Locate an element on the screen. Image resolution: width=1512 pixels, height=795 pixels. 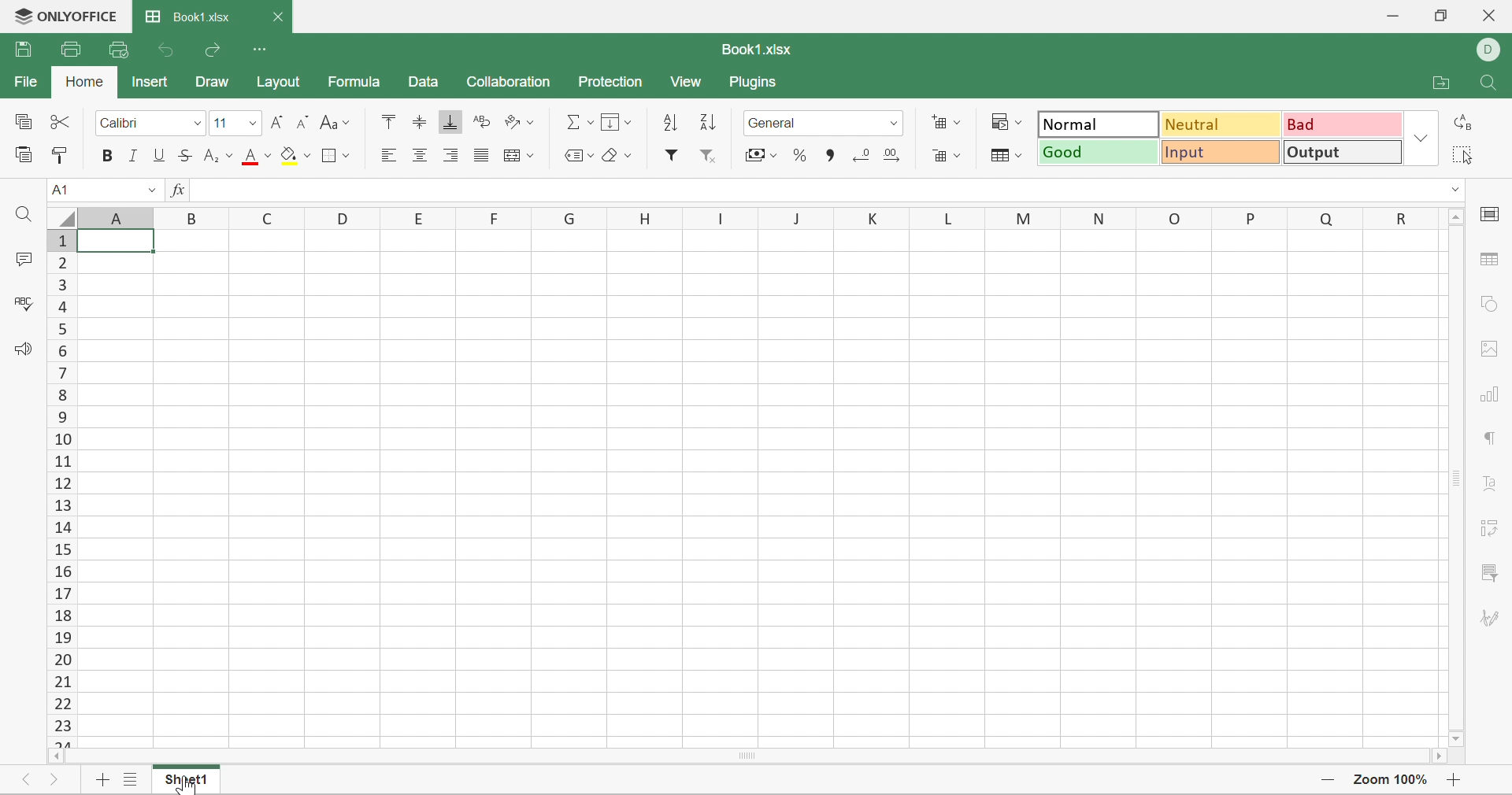
Accounting style is located at coordinates (759, 155).